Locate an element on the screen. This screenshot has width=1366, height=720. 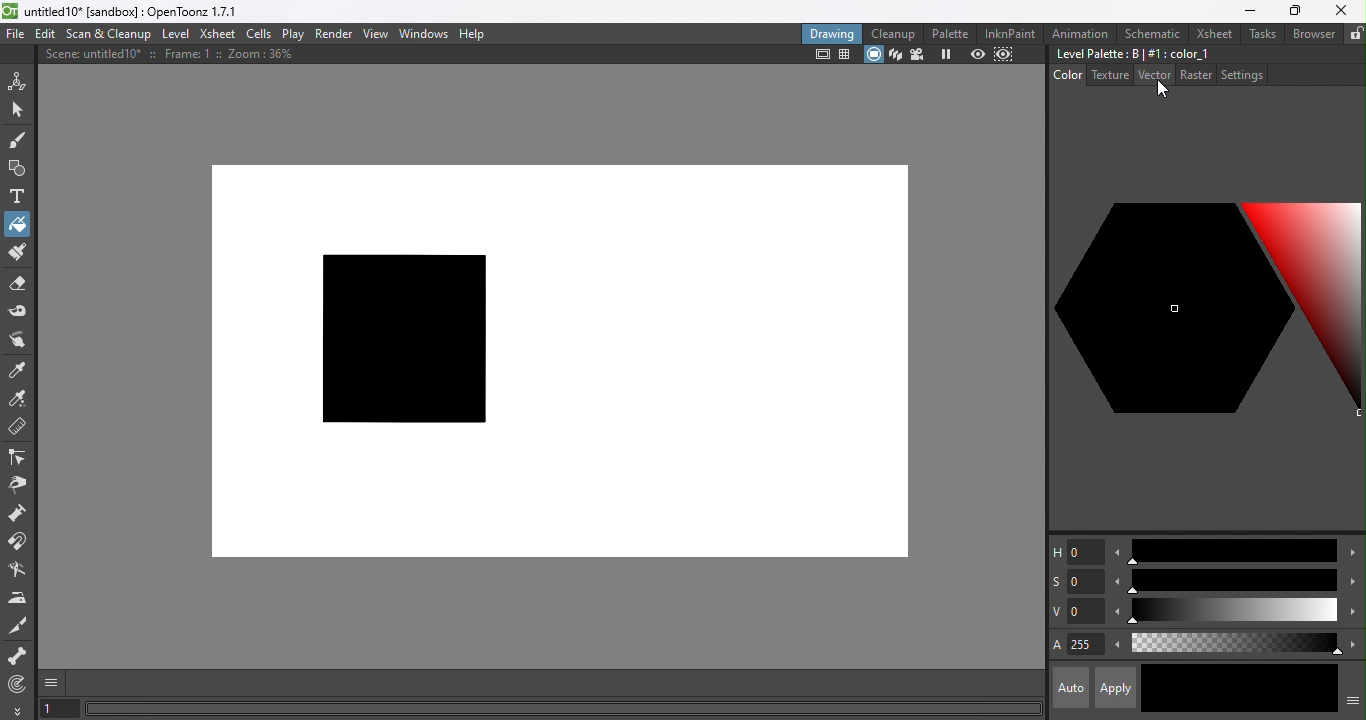
GUI show/hide is located at coordinates (53, 683).